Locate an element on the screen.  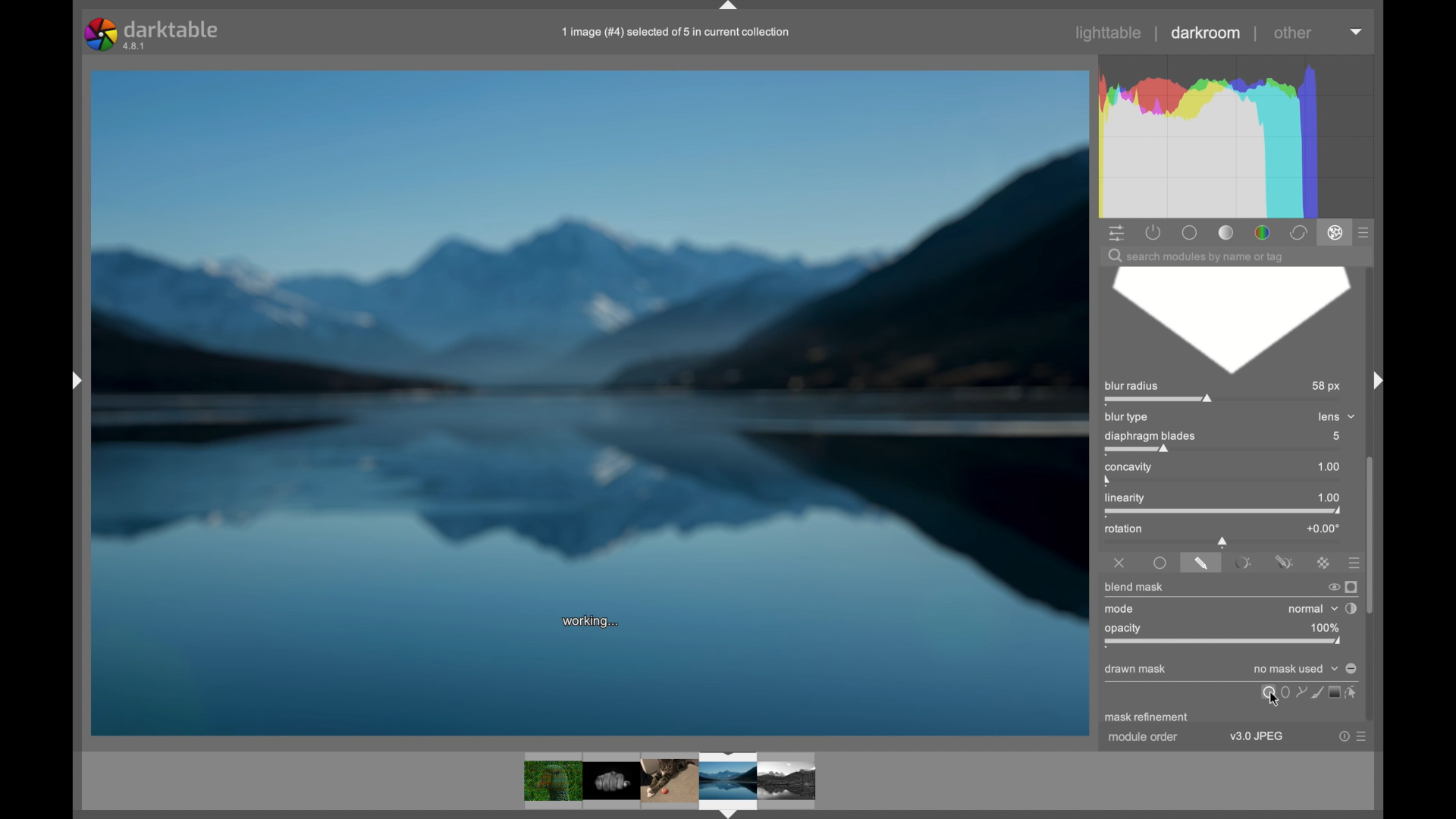
58 px is located at coordinates (1324, 386).